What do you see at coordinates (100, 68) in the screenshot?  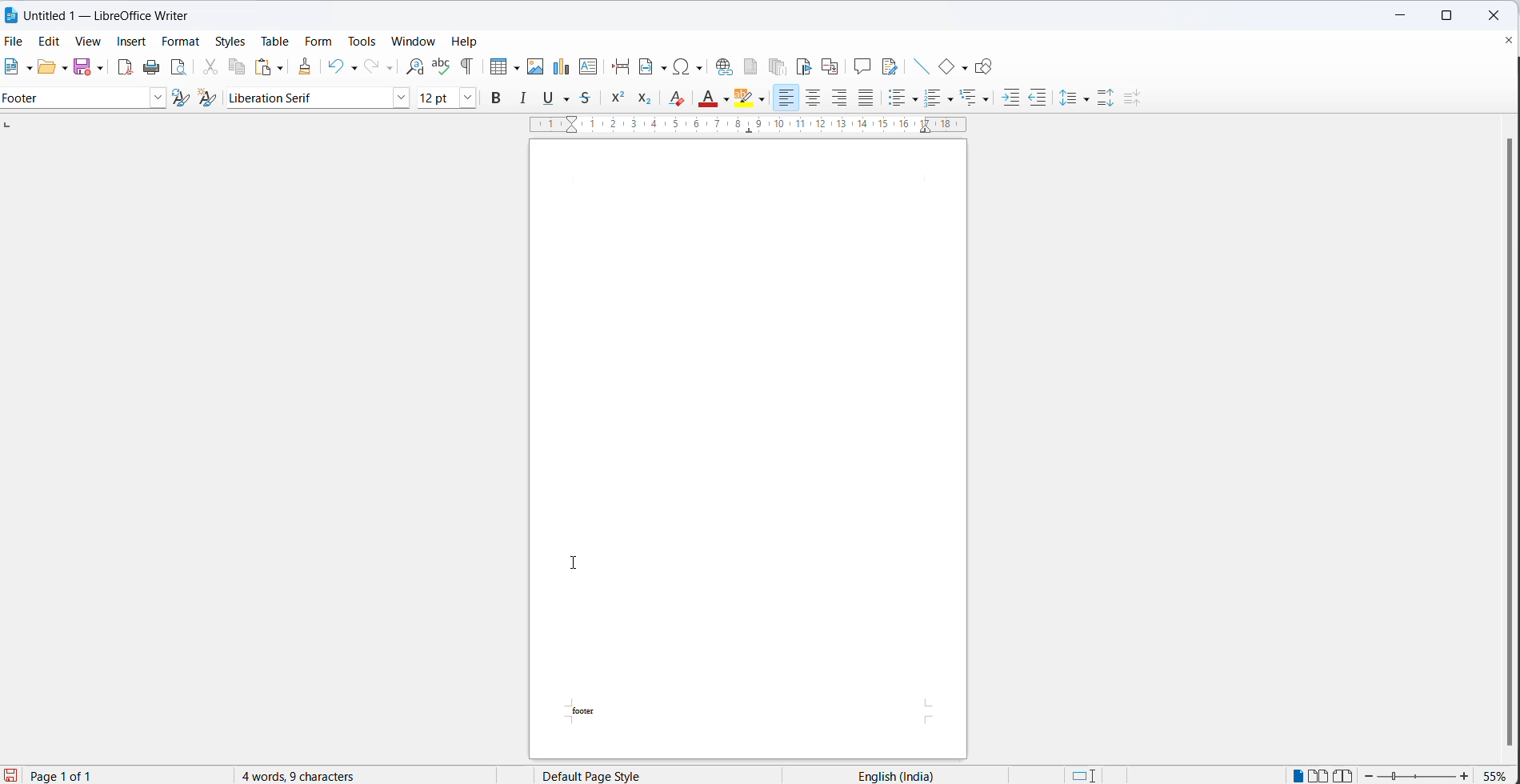 I see `save as` at bounding box center [100, 68].